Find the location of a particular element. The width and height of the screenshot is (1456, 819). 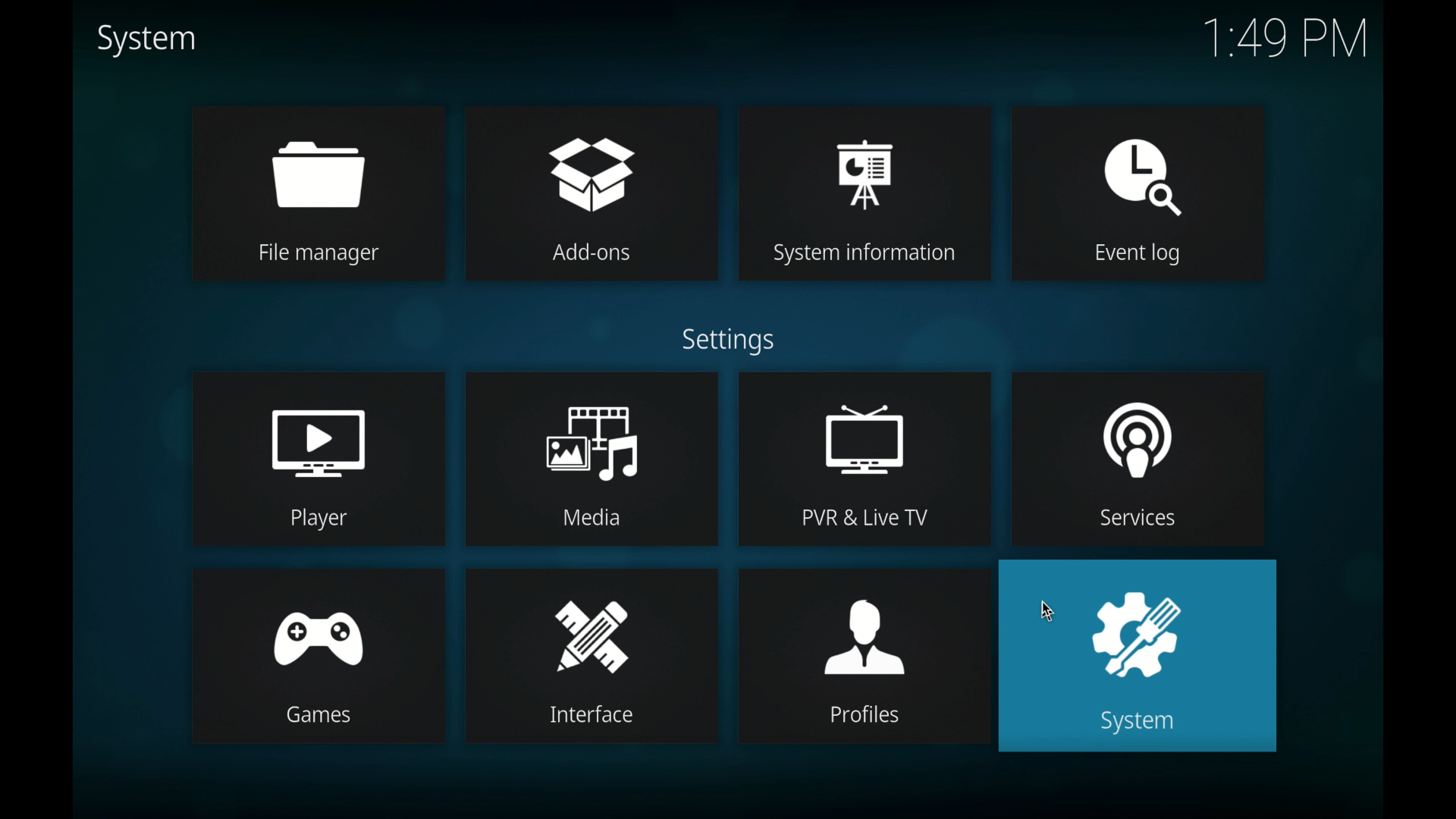

system information is located at coordinates (864, 191).